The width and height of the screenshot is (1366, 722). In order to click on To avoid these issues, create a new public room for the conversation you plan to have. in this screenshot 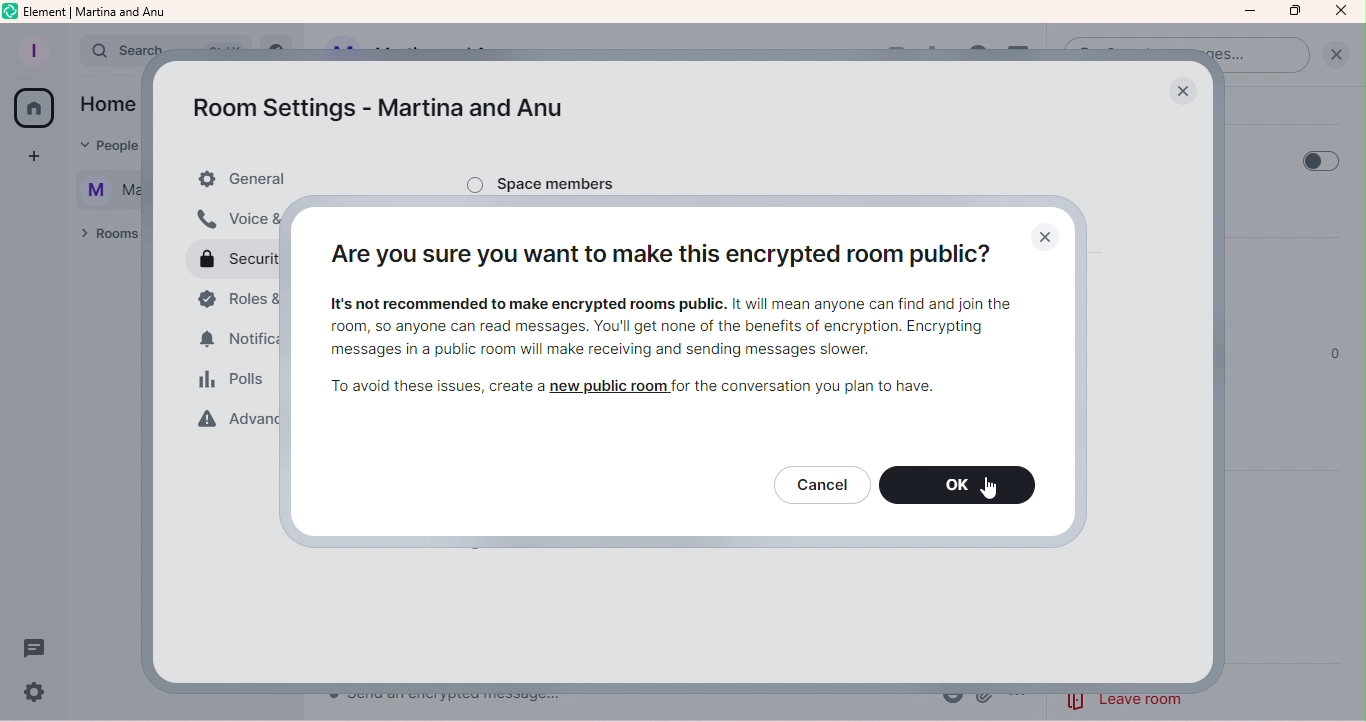, I will do `click(634, 388)`.